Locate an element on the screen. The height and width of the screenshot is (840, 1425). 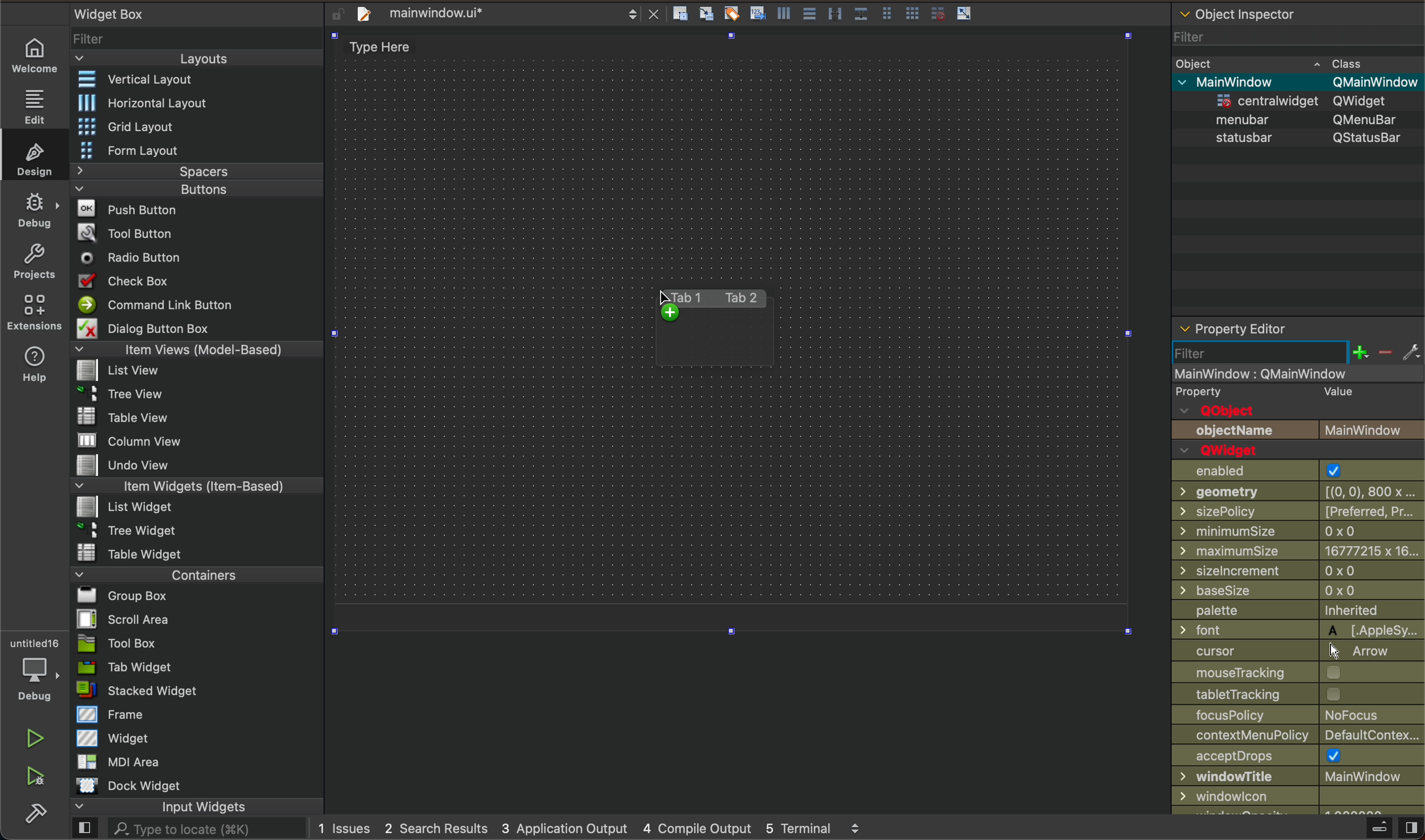
build is located at coordinates (41, 816).